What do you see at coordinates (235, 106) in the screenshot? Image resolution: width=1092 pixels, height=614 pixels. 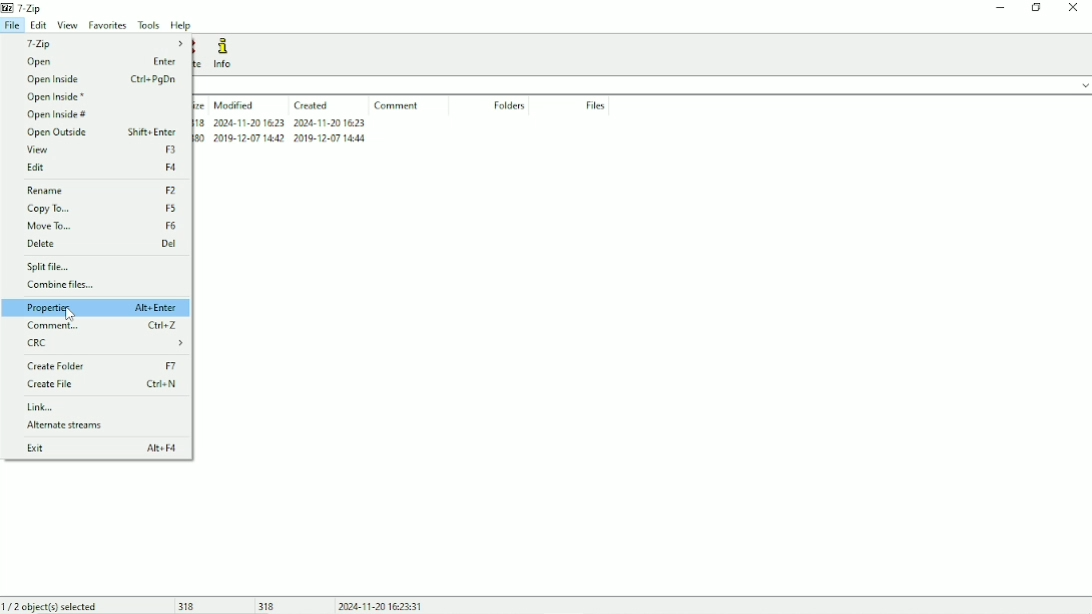 I see `Modified` at bounding box center [235, 106].